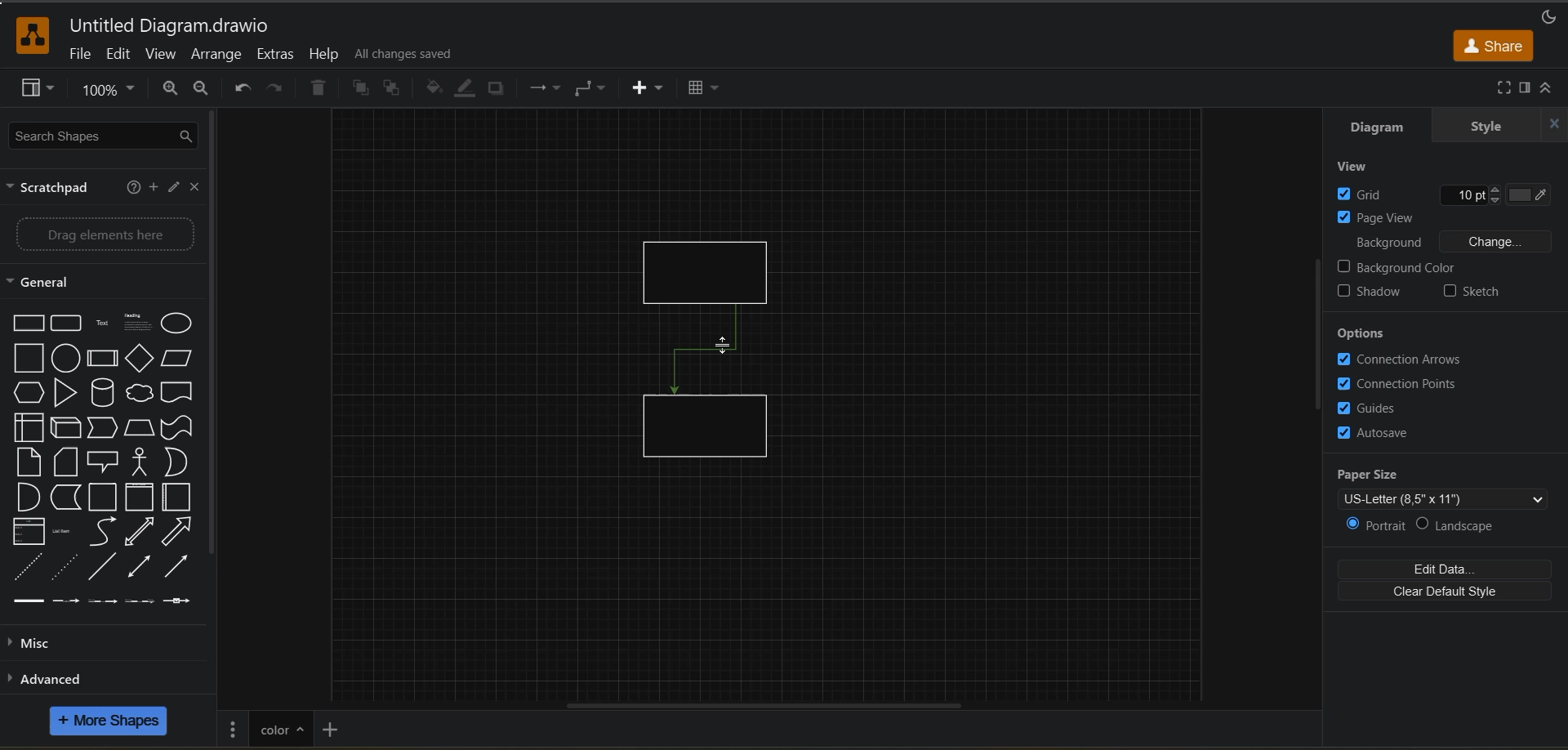 This screenshot has width=1568, height=750. Describe the element at coordinates (29, 602) in the screenshot. I see `Link` at that location.